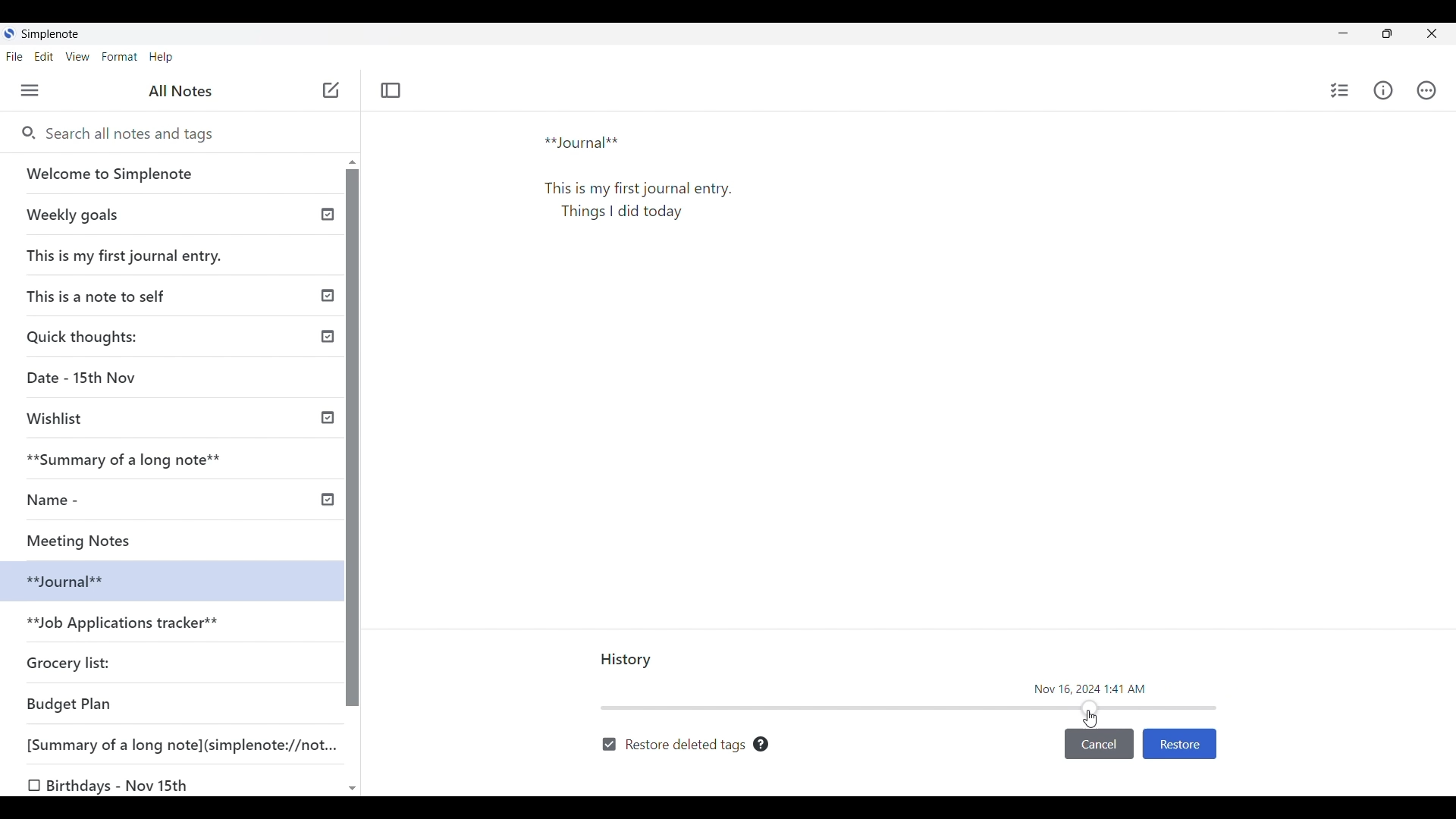 This screenshot has width=1456, height=819. What do you see at coordinates (189, 744) in the screenshot?
I see `[Summary of a long note](simplenote://not...` at bounding box center [189, 744].